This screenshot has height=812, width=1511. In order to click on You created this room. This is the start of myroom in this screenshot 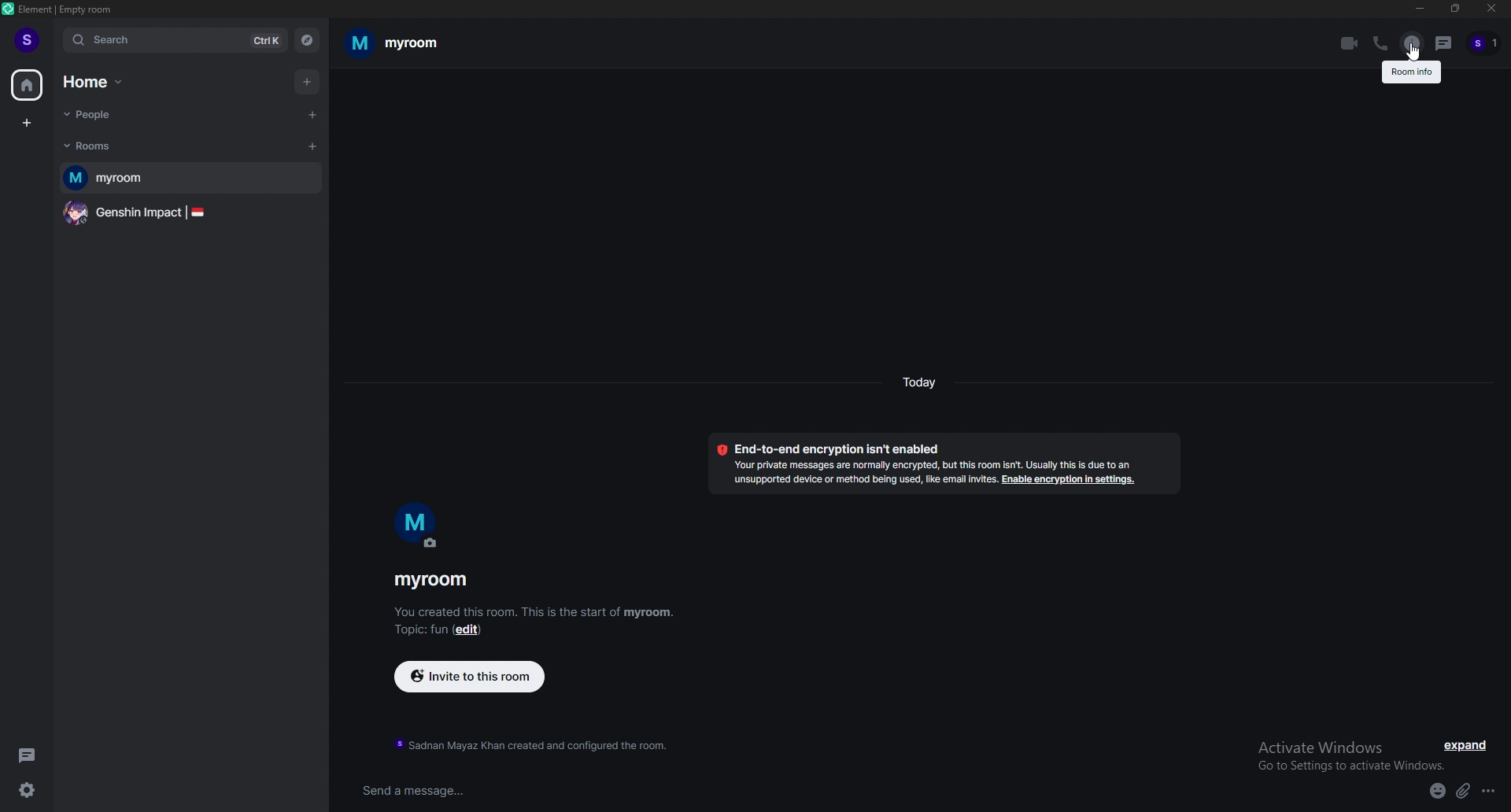, I will do `click(536, 614)`.